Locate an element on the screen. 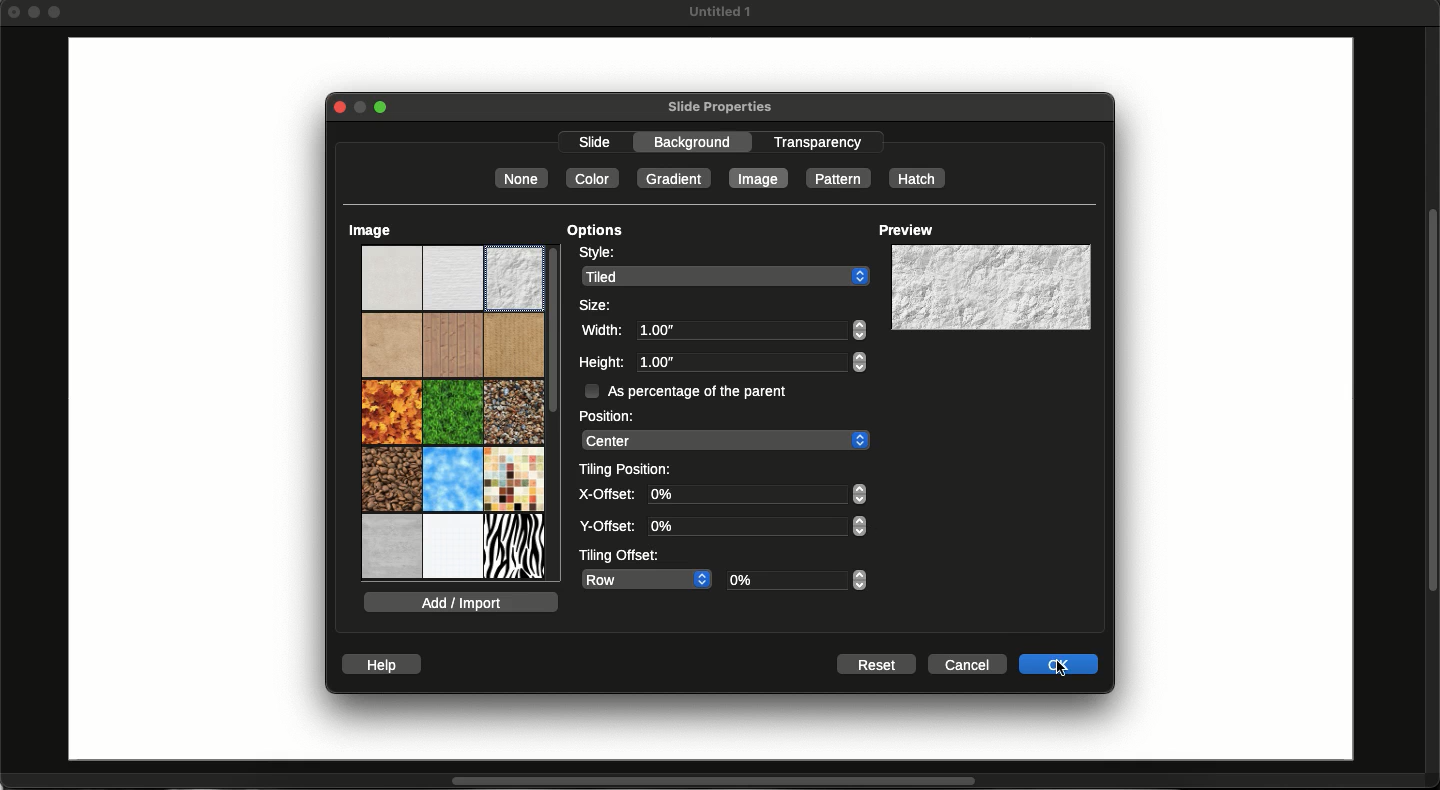  Hatch is located at coordinates (917, 178).